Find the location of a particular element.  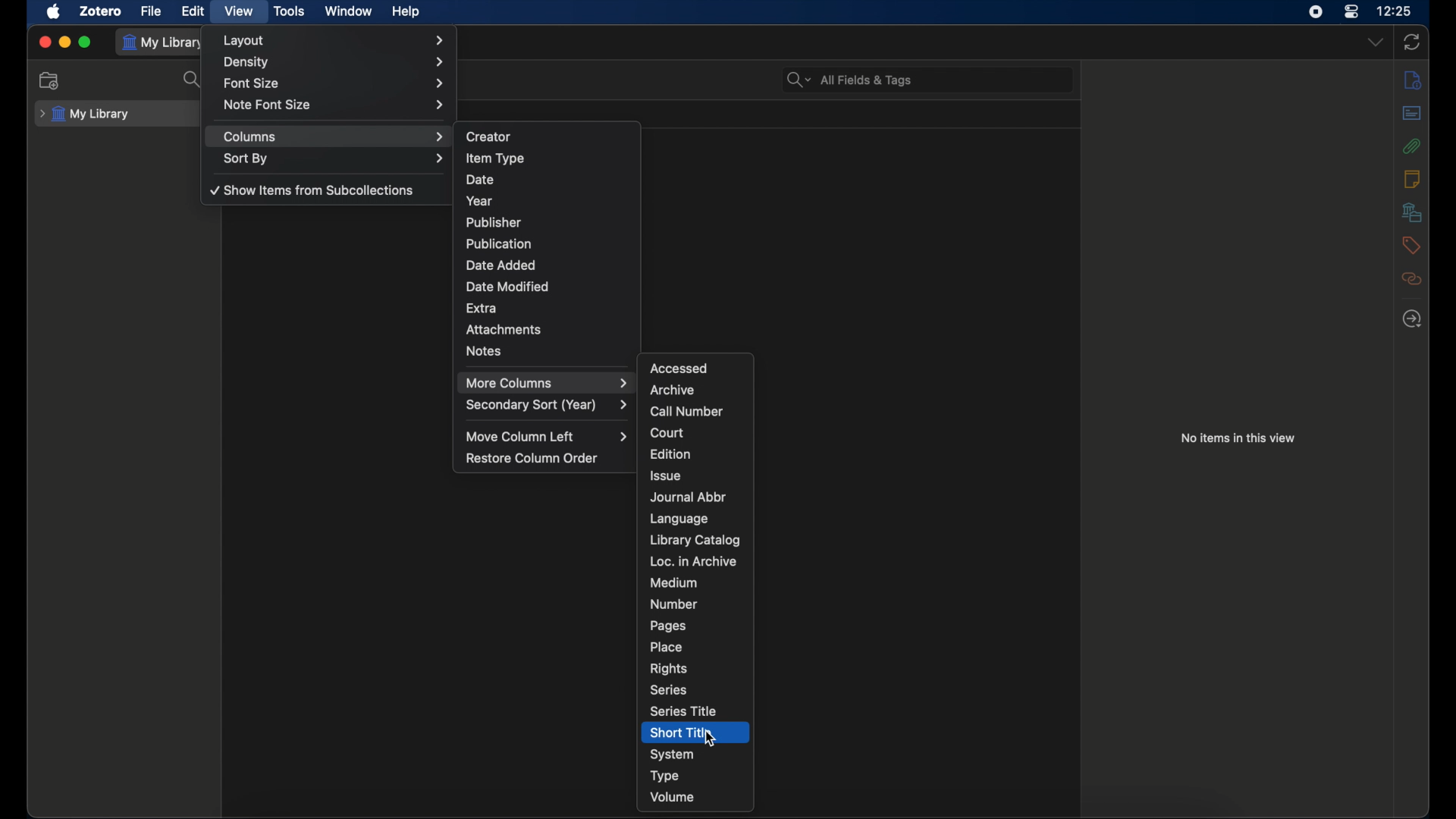

publication is located at coordinates (499, 243).